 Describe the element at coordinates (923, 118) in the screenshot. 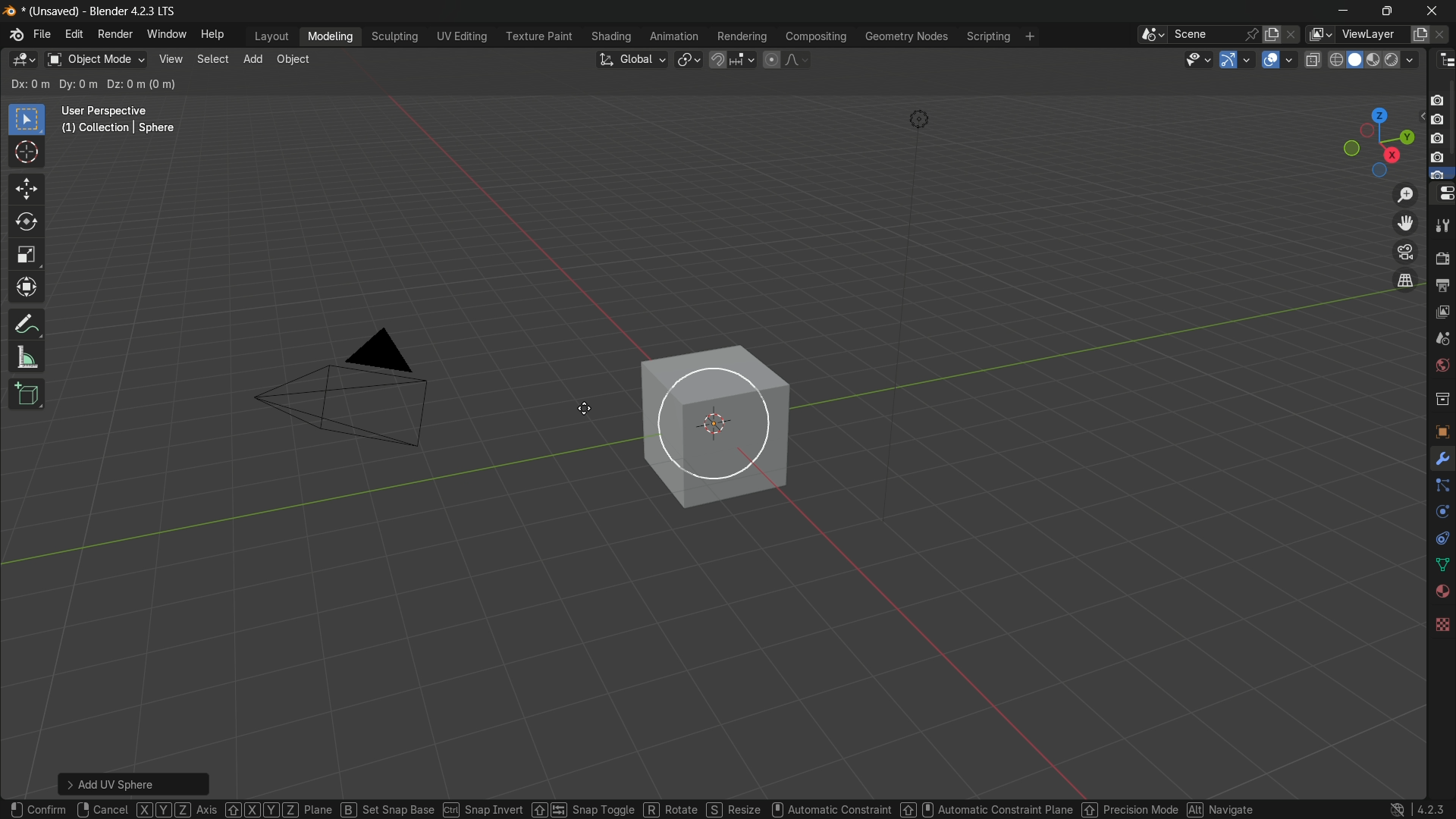

I see `light` at that location.